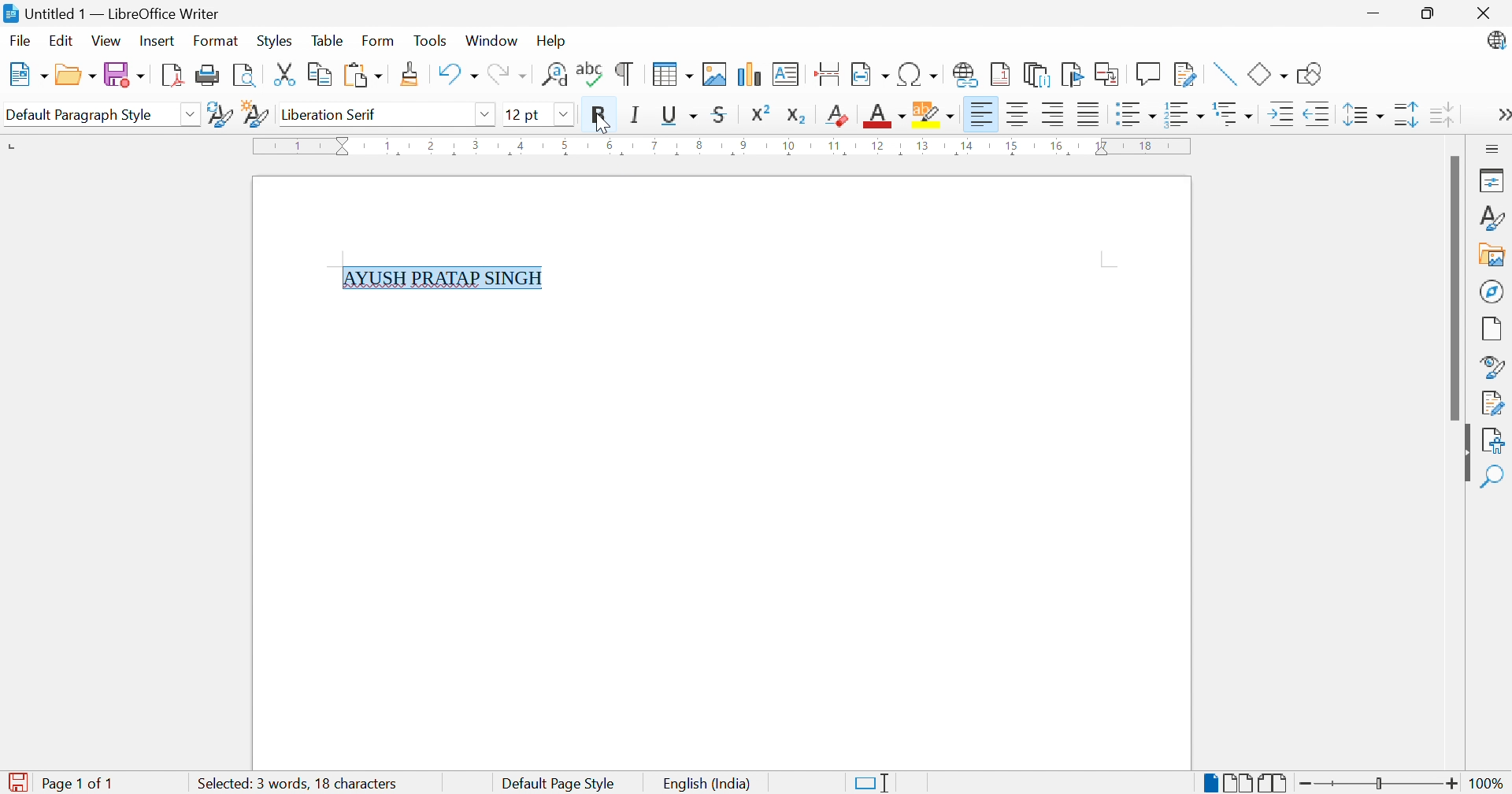  I want to click on 100%, so click(1488, 782).